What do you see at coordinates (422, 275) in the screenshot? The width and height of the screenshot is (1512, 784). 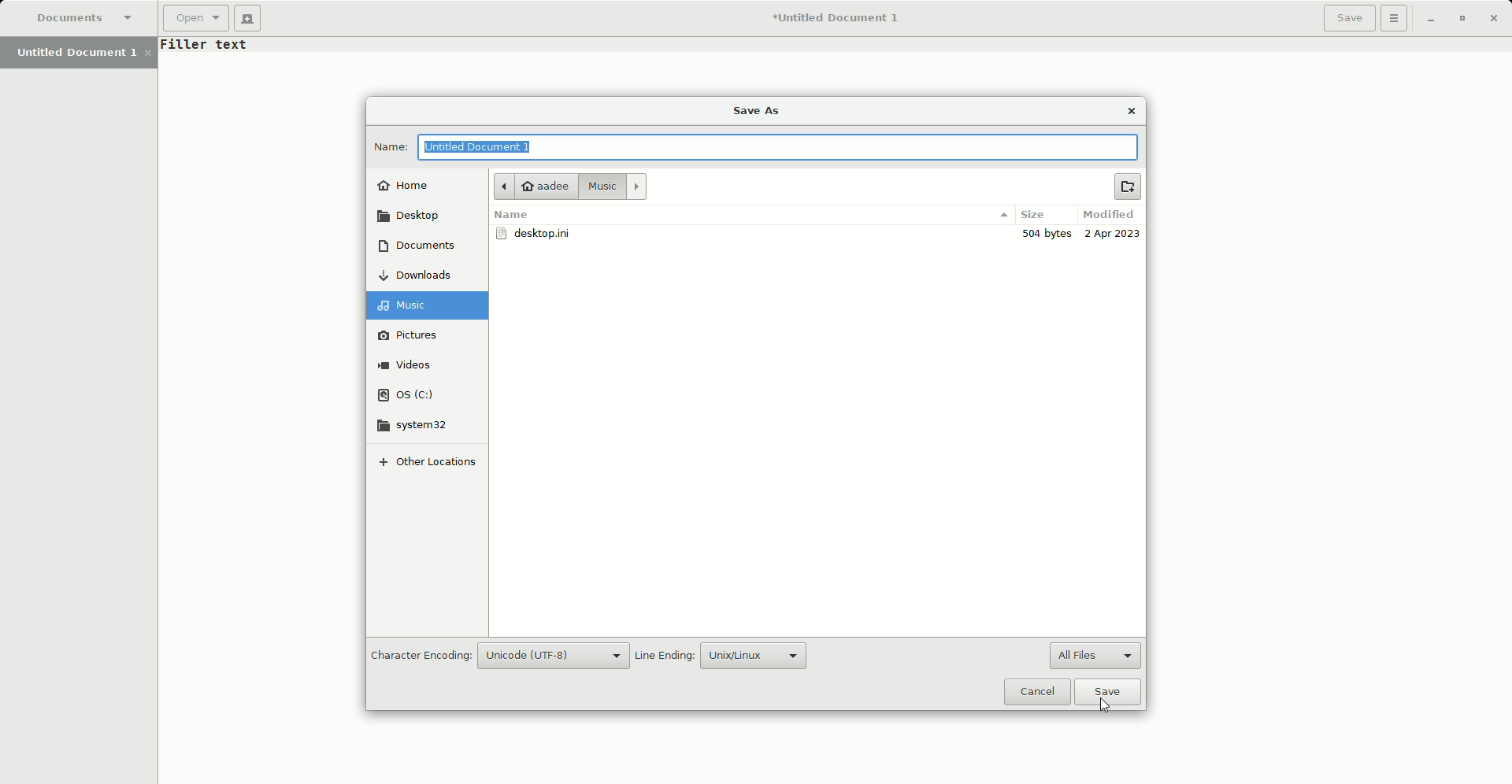 I see `Downloads` at bounding box center [422, 275].